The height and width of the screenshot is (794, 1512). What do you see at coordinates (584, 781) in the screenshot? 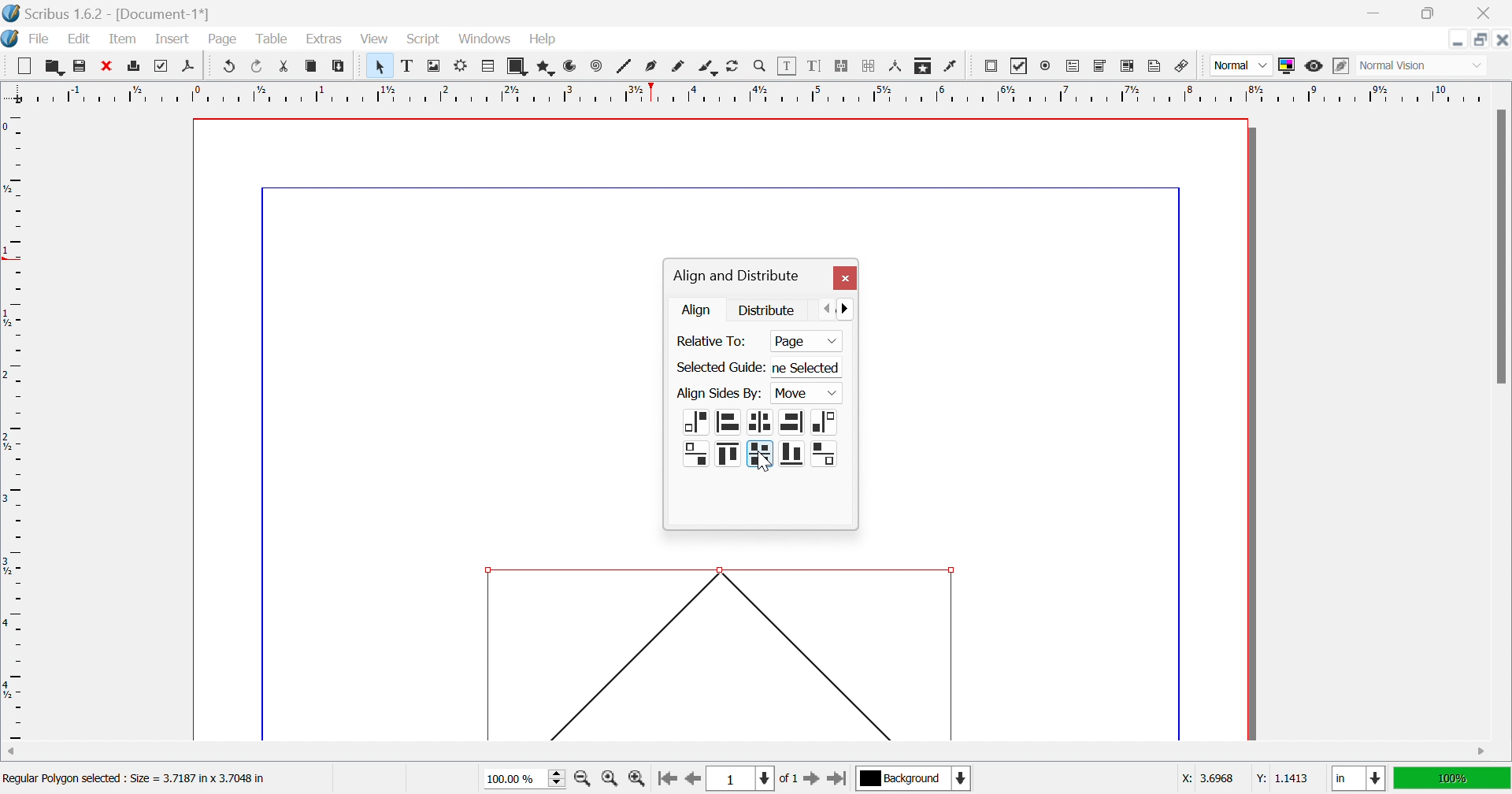
I see `Zoom out by the stepping value in Tools preferences` at bounding box center [584, 781].